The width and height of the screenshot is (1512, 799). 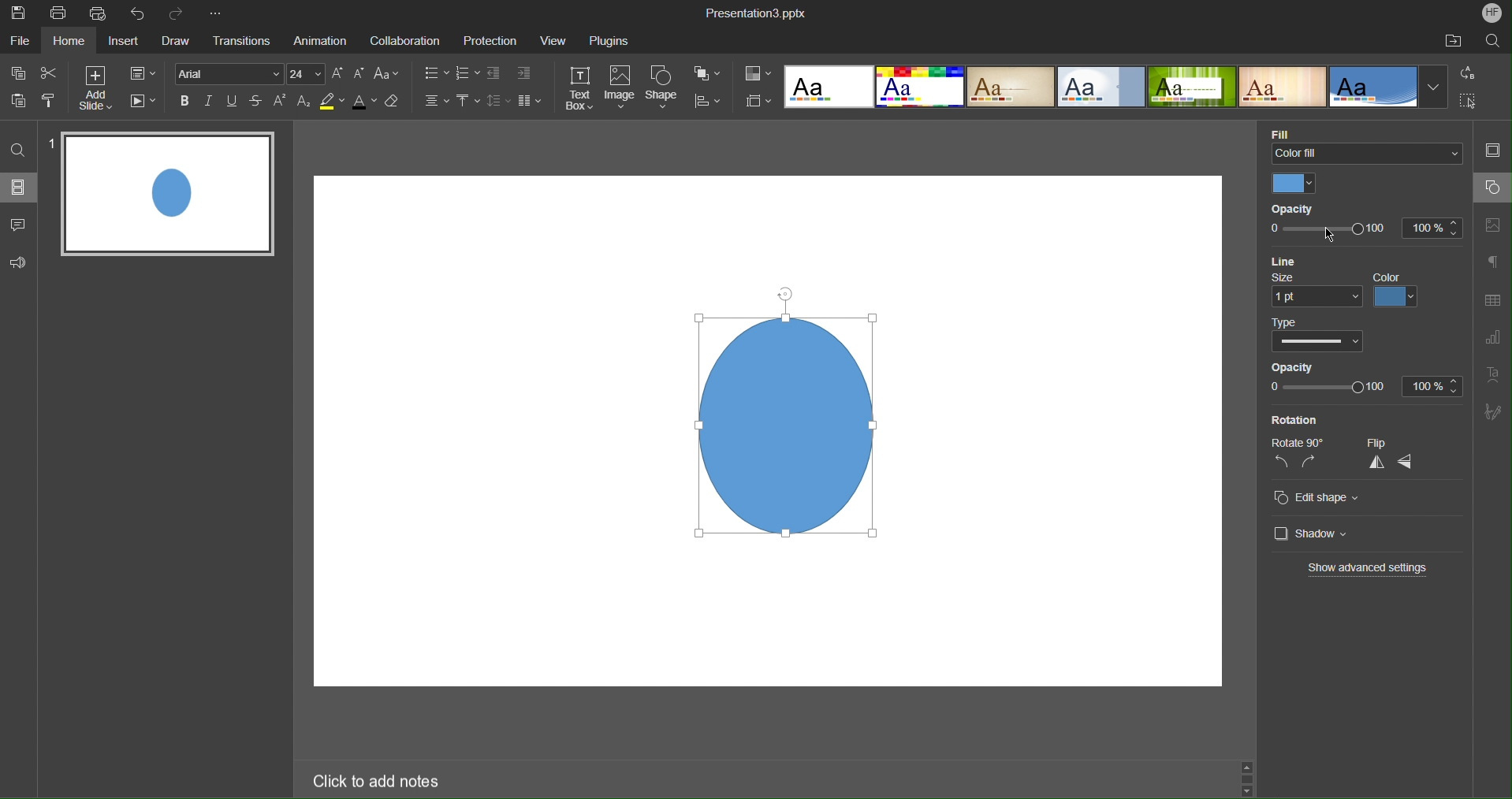 I want to click on Text Case Settings, so click(x=389, y=74).